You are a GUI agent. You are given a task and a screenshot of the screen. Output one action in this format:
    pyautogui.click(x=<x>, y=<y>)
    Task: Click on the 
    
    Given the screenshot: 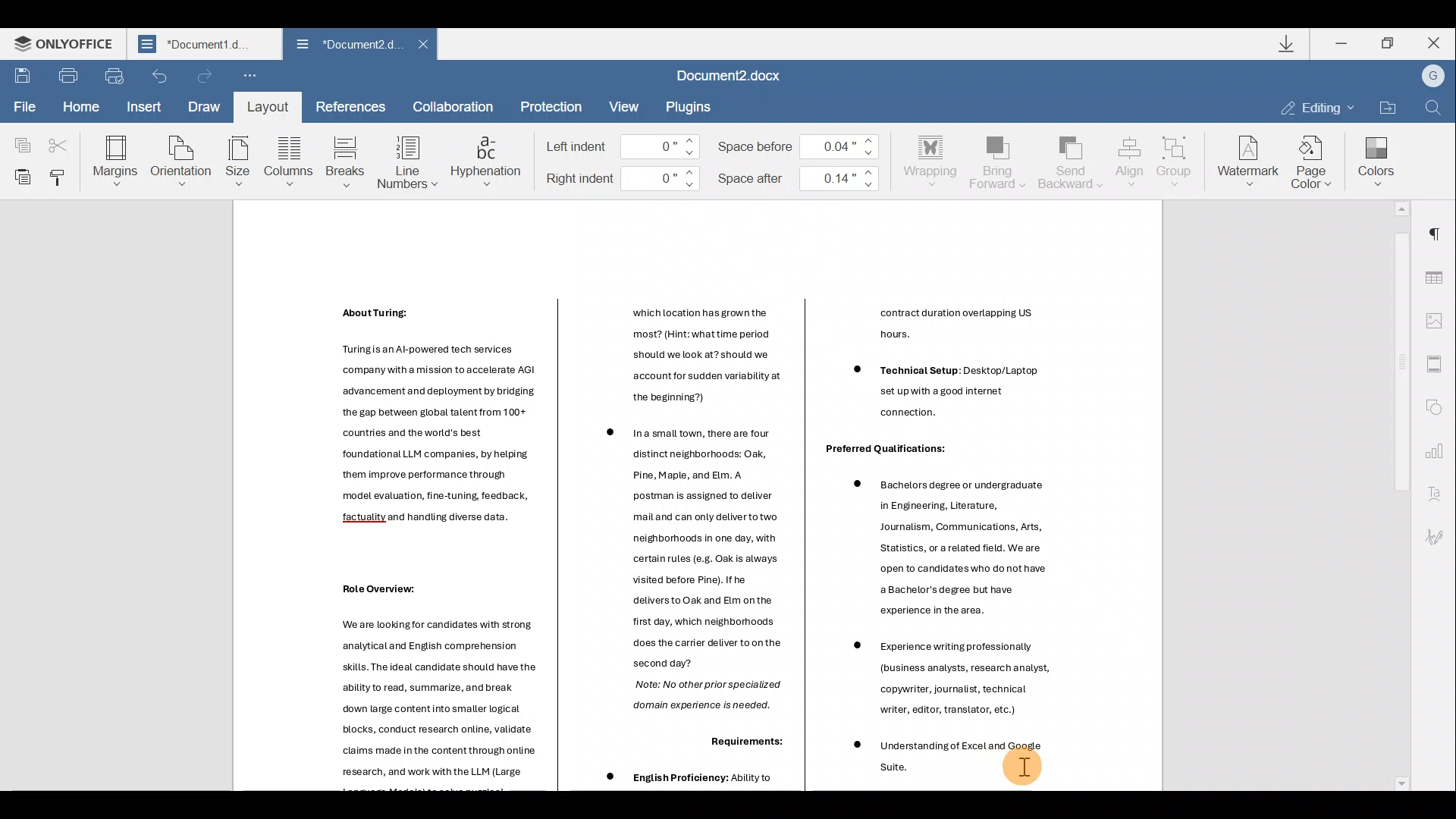 What is the action you would take?
    pyautogui.click(x=742, y=744)
    